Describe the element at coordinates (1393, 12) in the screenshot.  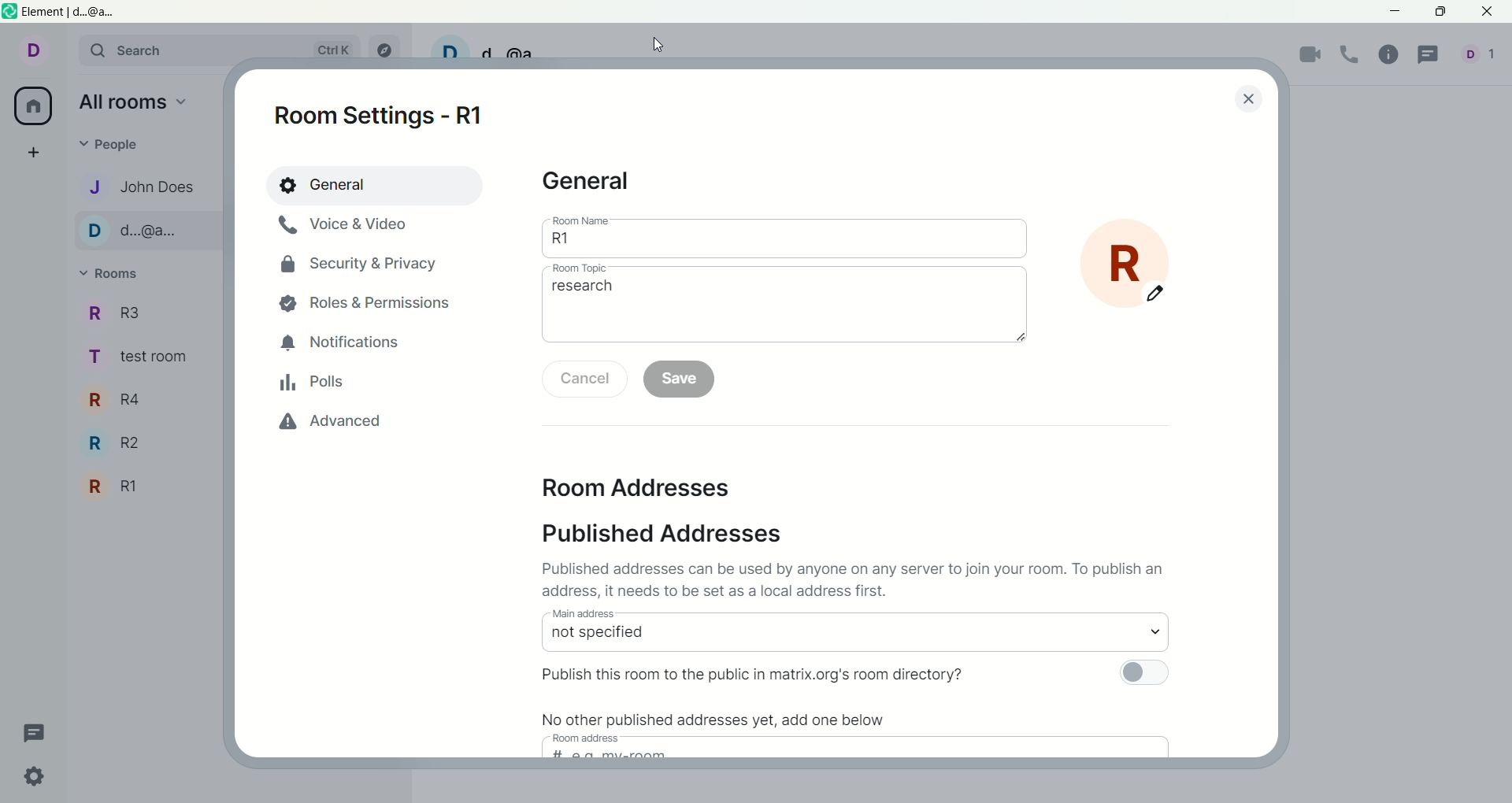
I see `minimize` at that location.